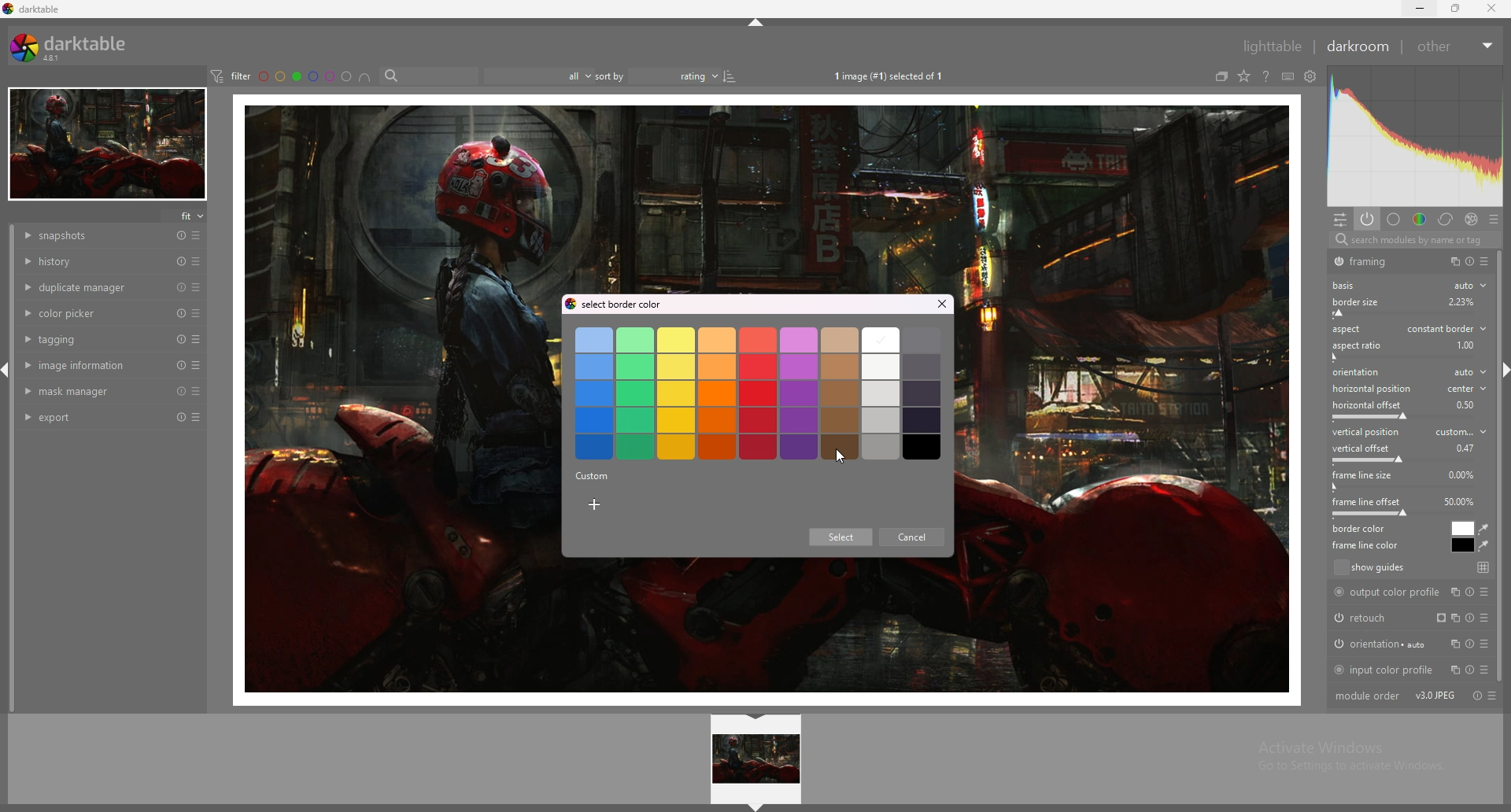 The width and height of the screenshot is (1511, 812). What do you see at coordinates (1402, 488) in the screenshot?
I see `frame line size bar` at bounding box center [1402, 488].